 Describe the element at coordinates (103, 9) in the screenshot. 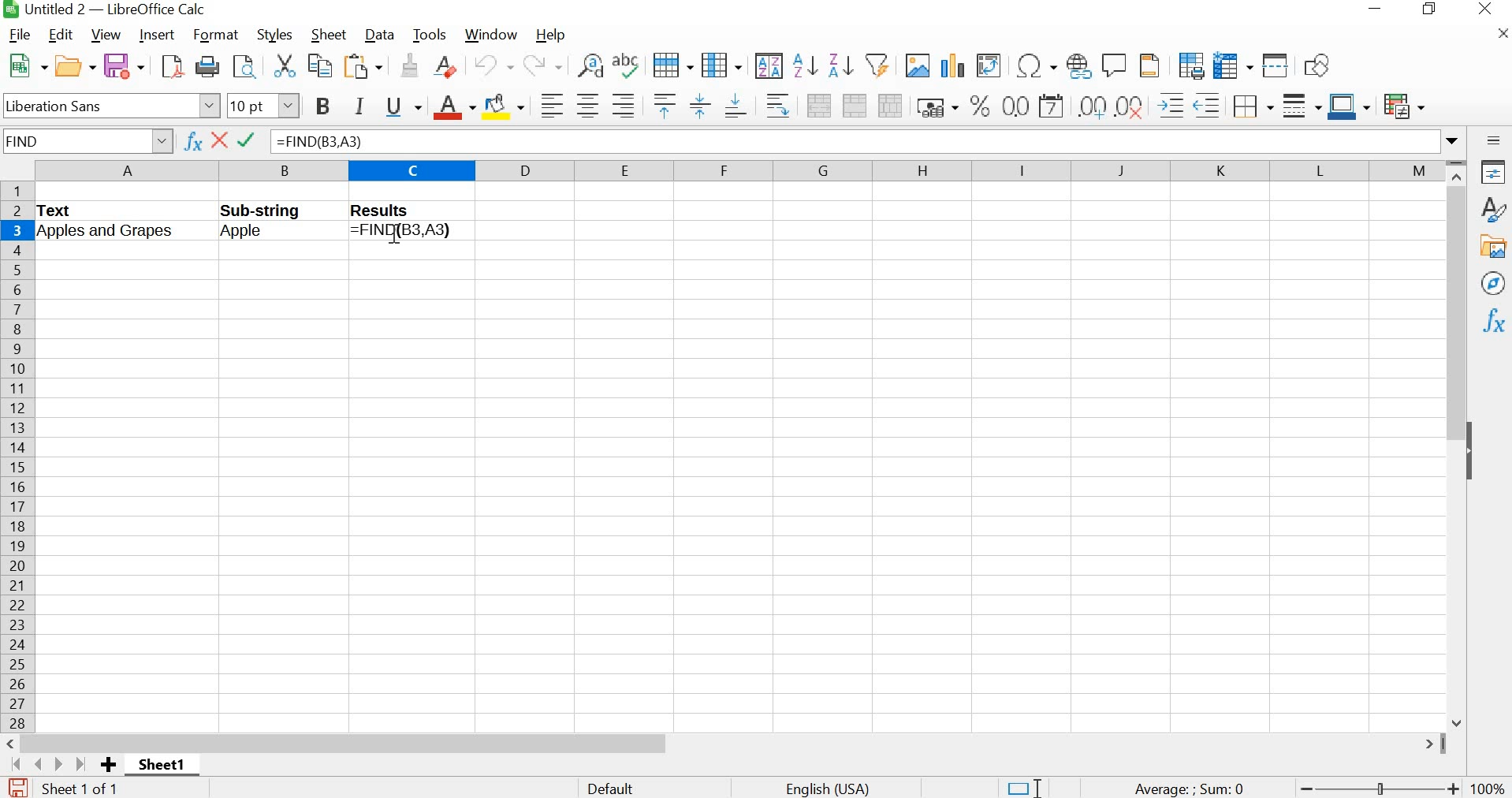

I see `file name` at that location.